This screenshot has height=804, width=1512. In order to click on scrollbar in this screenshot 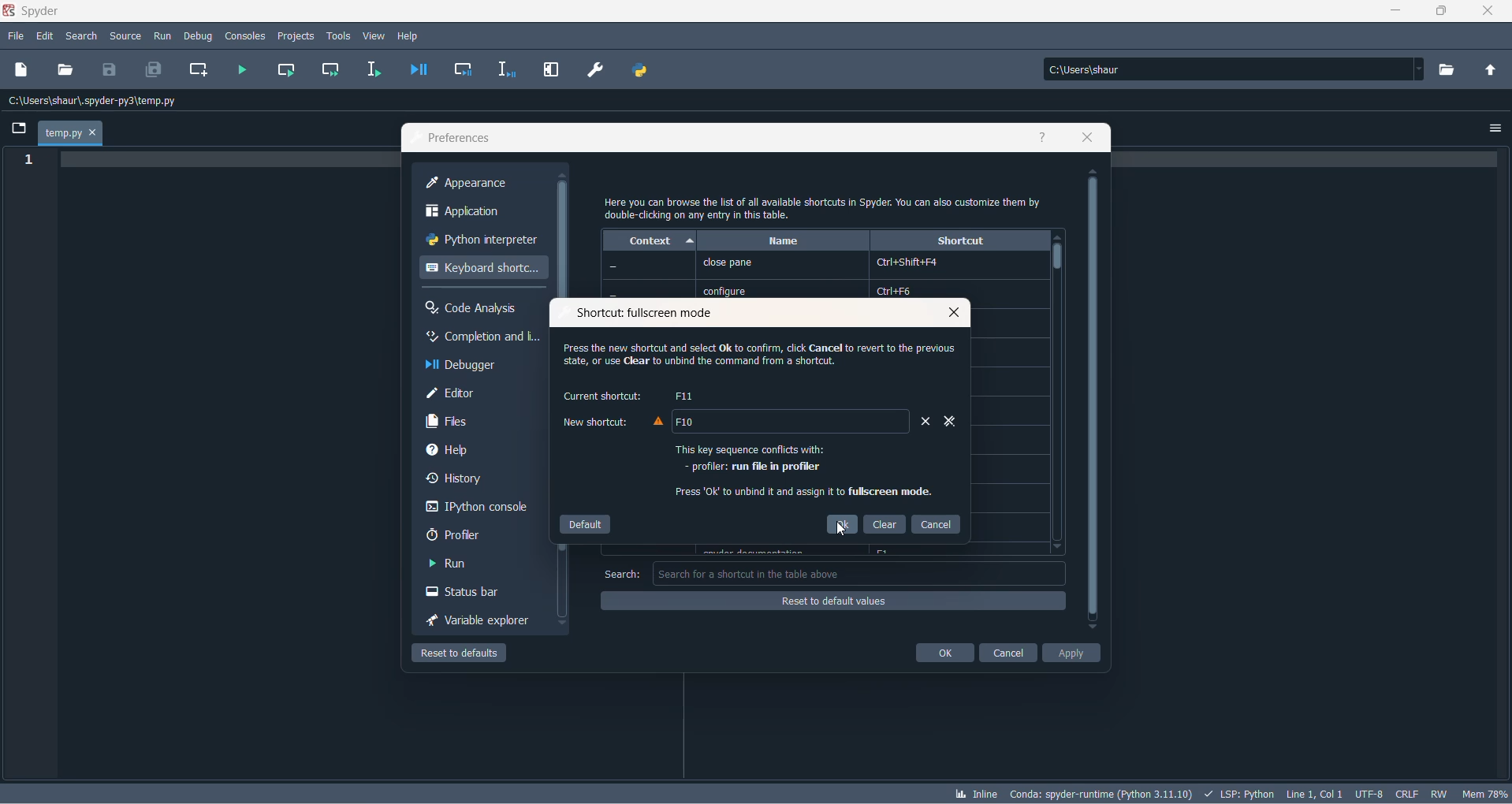, I will do `click(566, 240)`.